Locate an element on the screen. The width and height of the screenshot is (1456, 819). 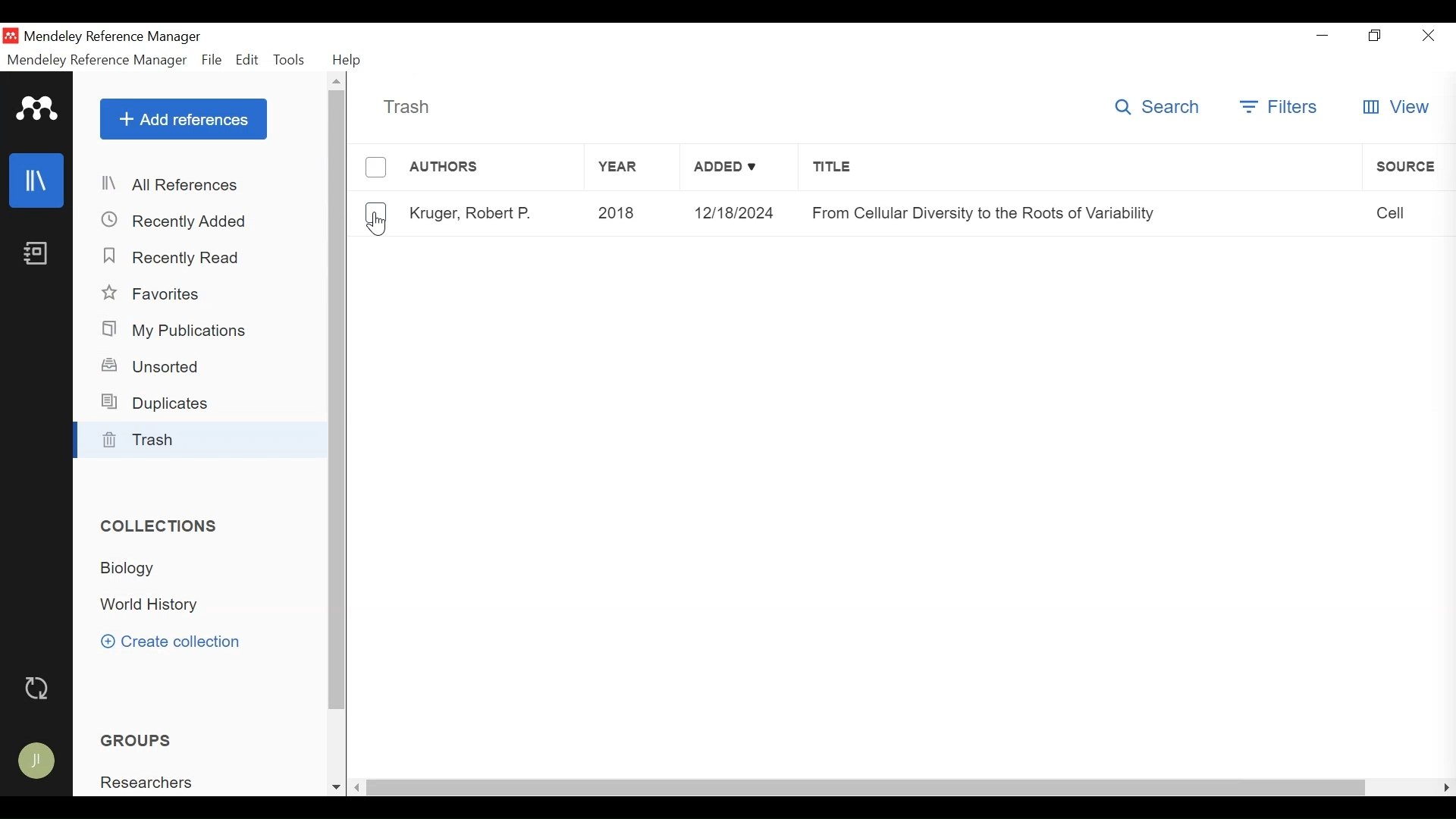
File is located at coordinates (212, 60).